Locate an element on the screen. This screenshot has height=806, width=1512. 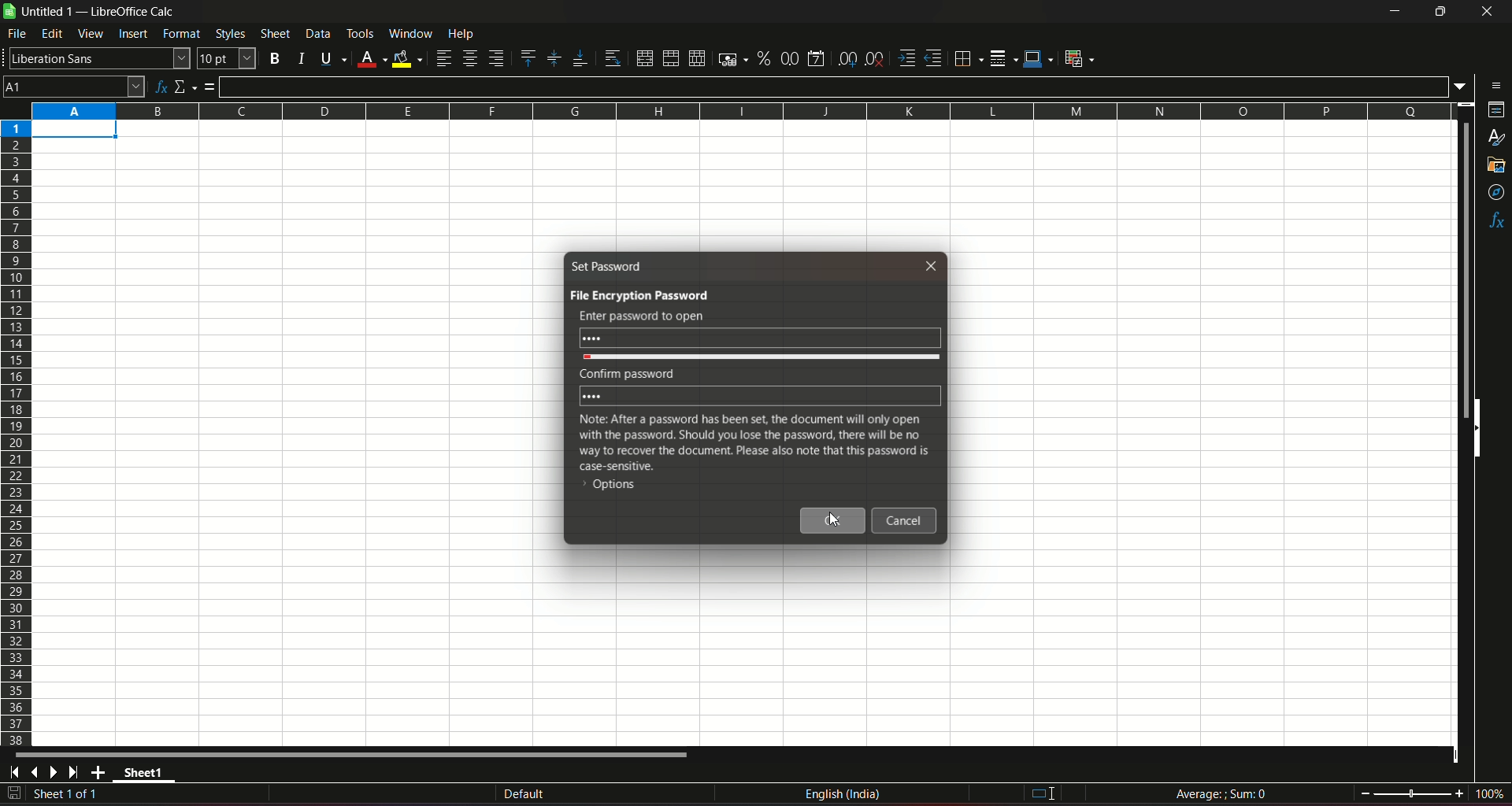
expand formula is located at coordinates (1462, 87).